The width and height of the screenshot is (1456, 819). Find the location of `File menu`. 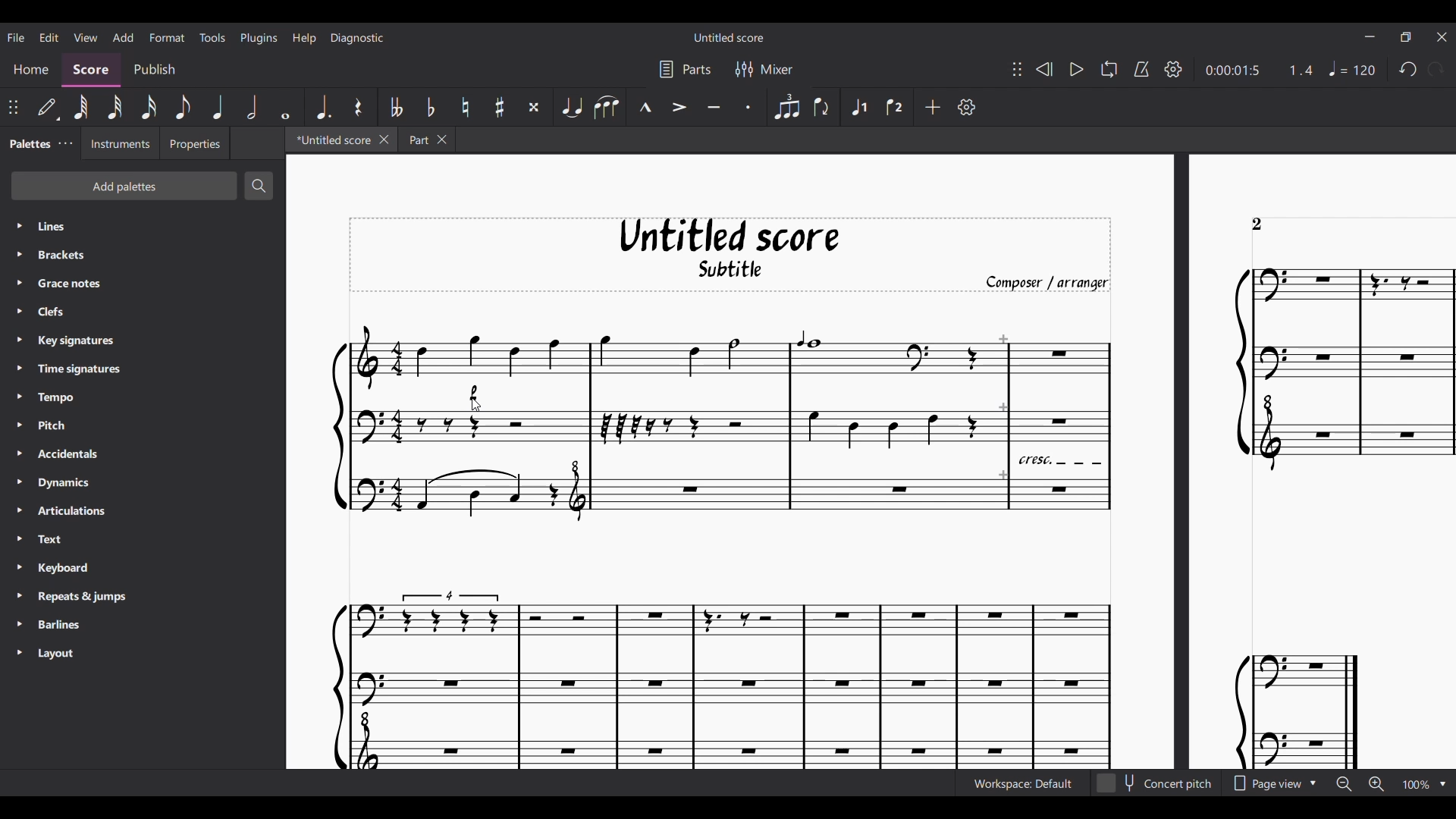

File menu is located at coordinates (16, 37).